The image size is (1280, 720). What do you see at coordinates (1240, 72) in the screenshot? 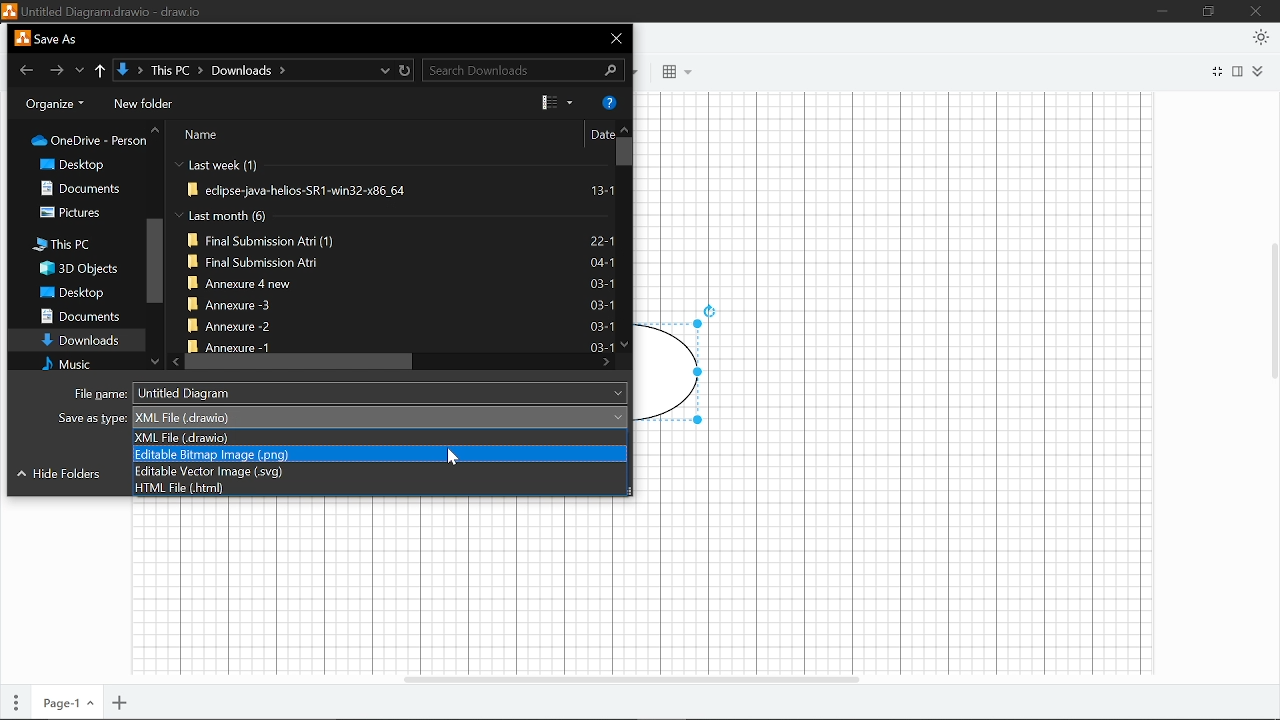
I see `Format` at bounding box center [1240, 72].